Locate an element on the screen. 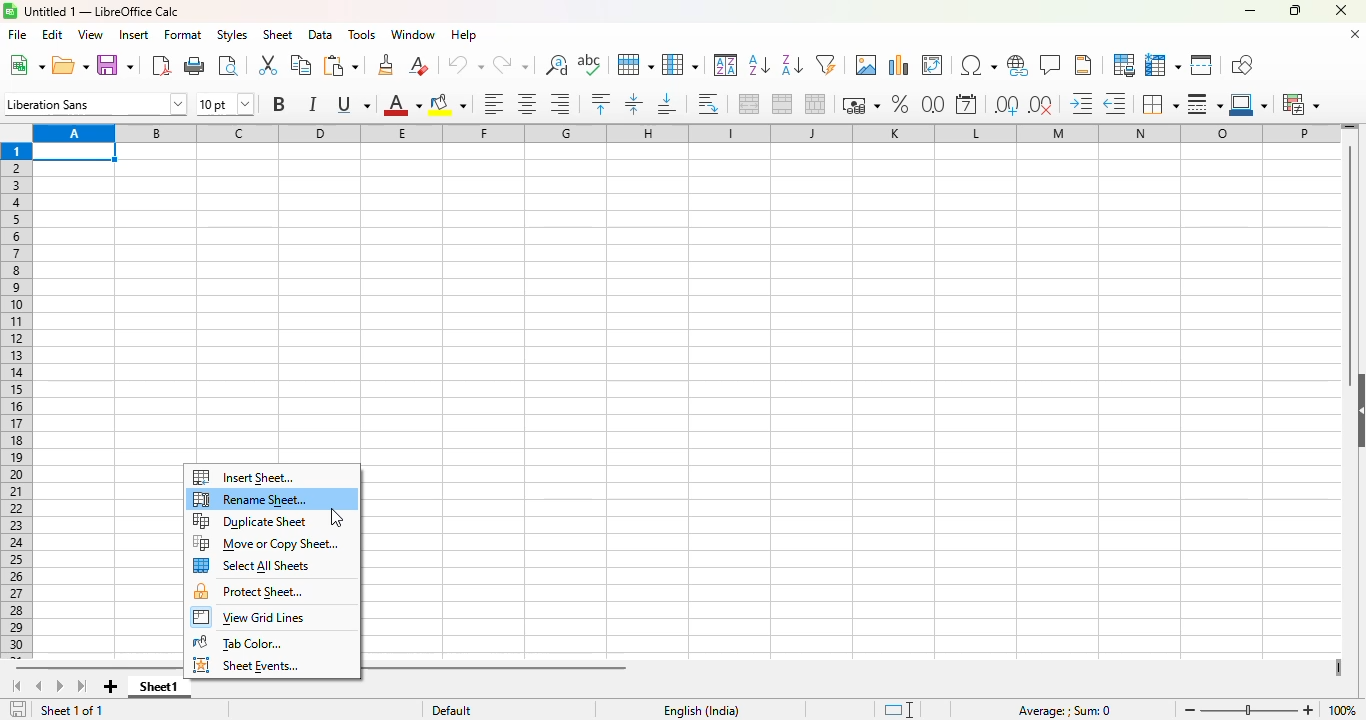  columns is located at coordinates (687, 132).